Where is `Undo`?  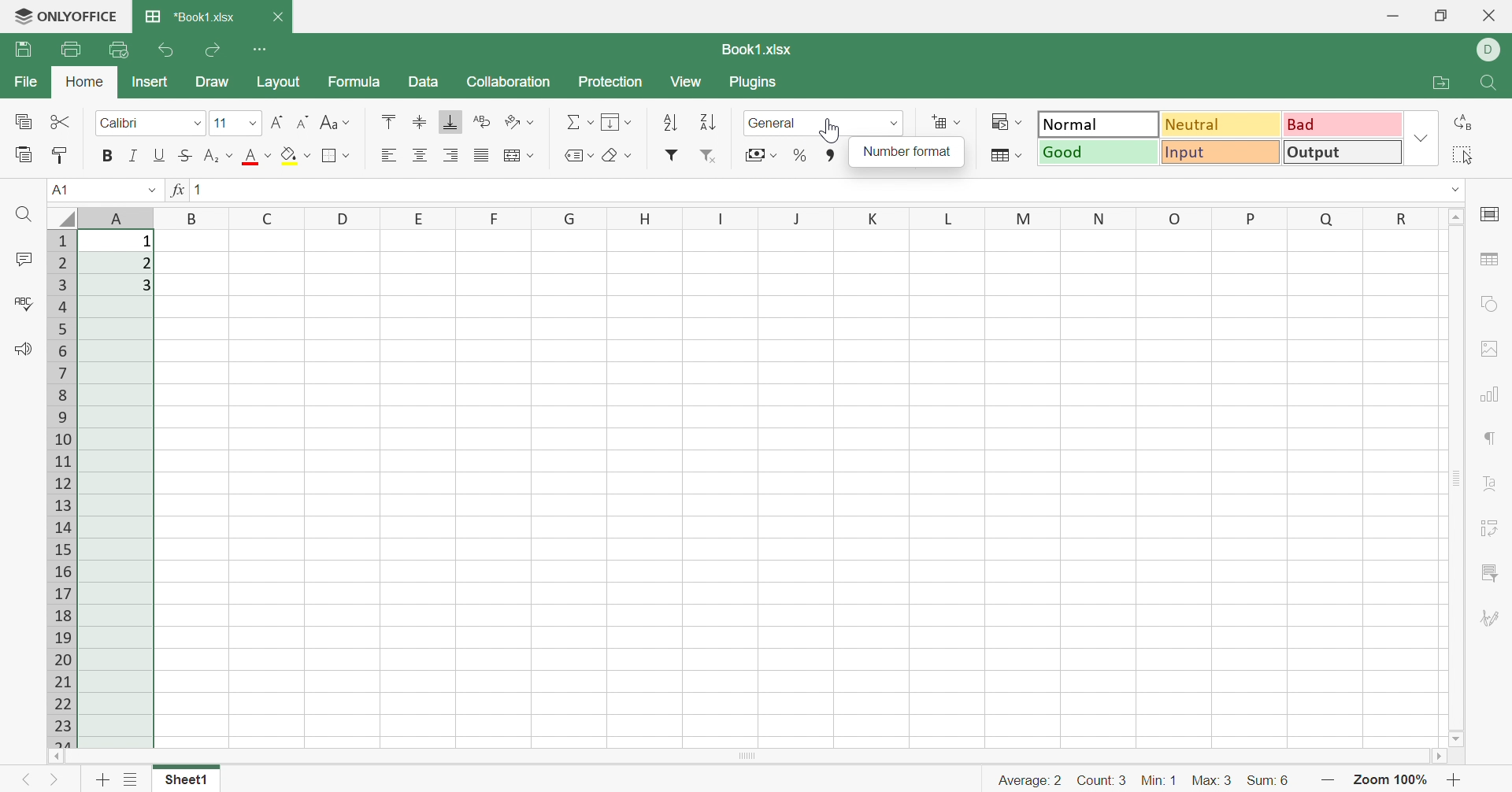
Undo is located at coordinates (169, 49).